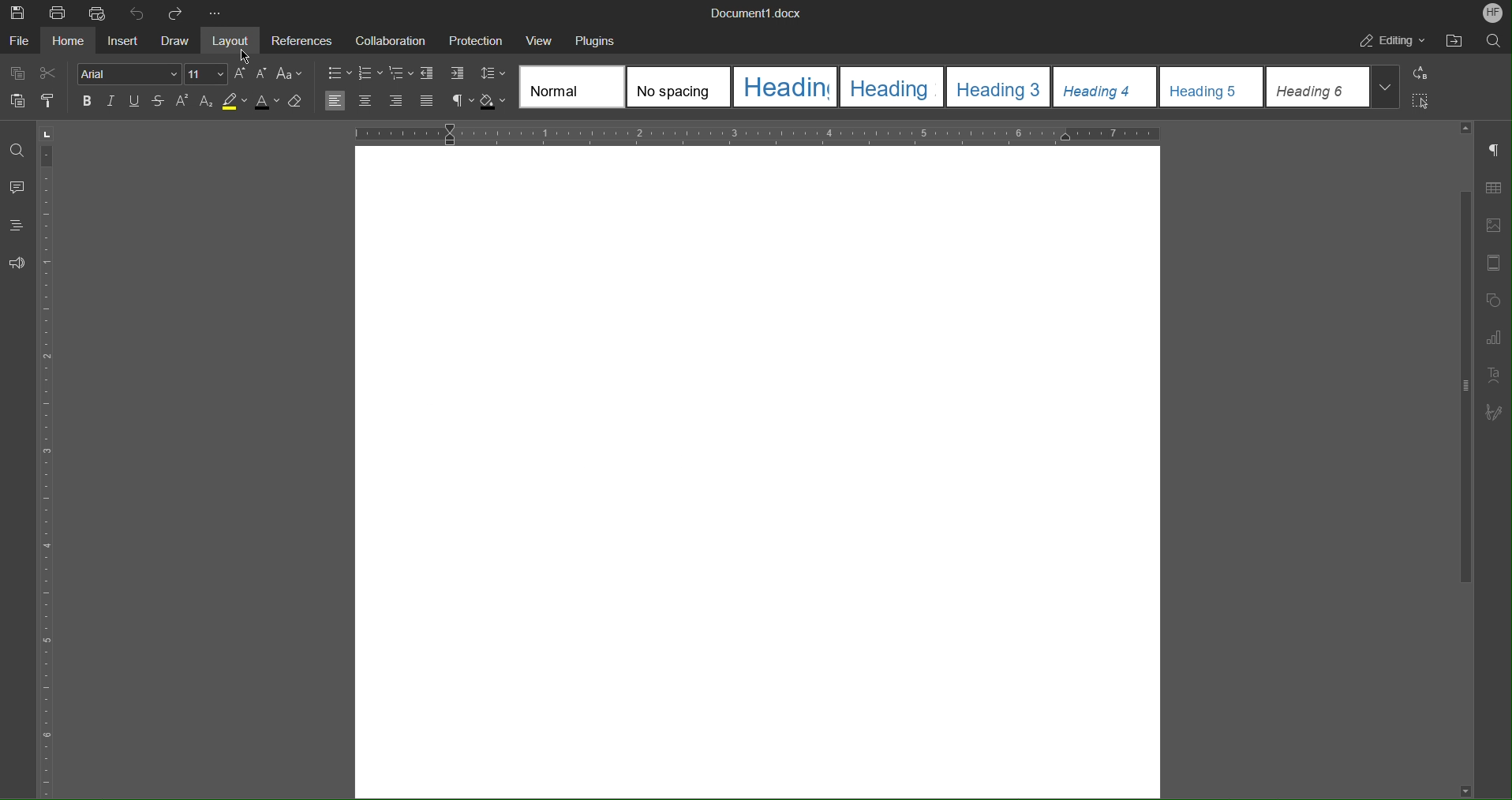 Image resolution: width=1512 pixels, height=800 pixels. I want to click on Font, so click(129, 75).